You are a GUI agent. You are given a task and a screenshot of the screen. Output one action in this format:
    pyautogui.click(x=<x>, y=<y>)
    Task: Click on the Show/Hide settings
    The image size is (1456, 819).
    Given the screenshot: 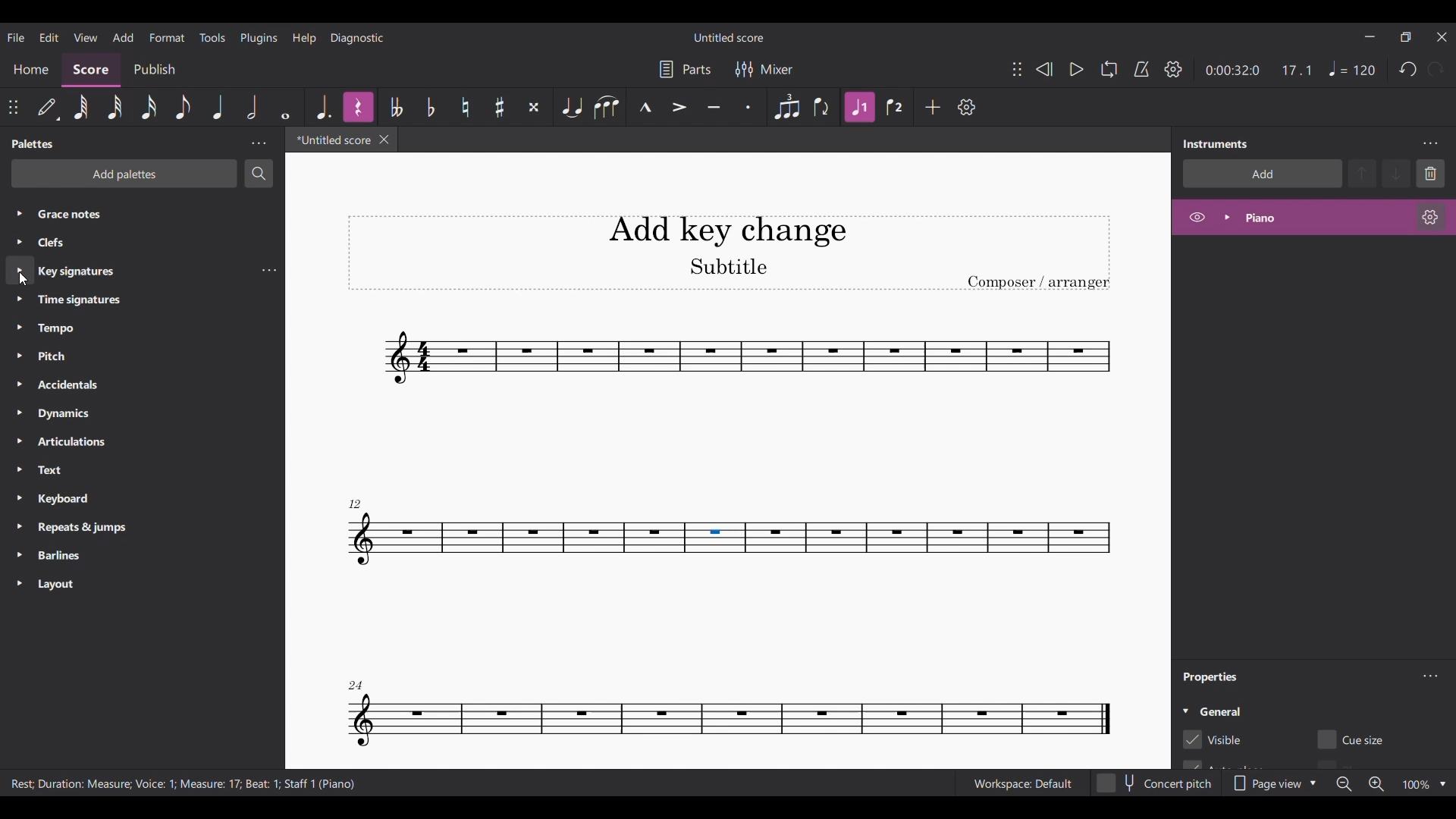 What is the action you would take?
    pyautogui.click(x=1174, y=69)
    